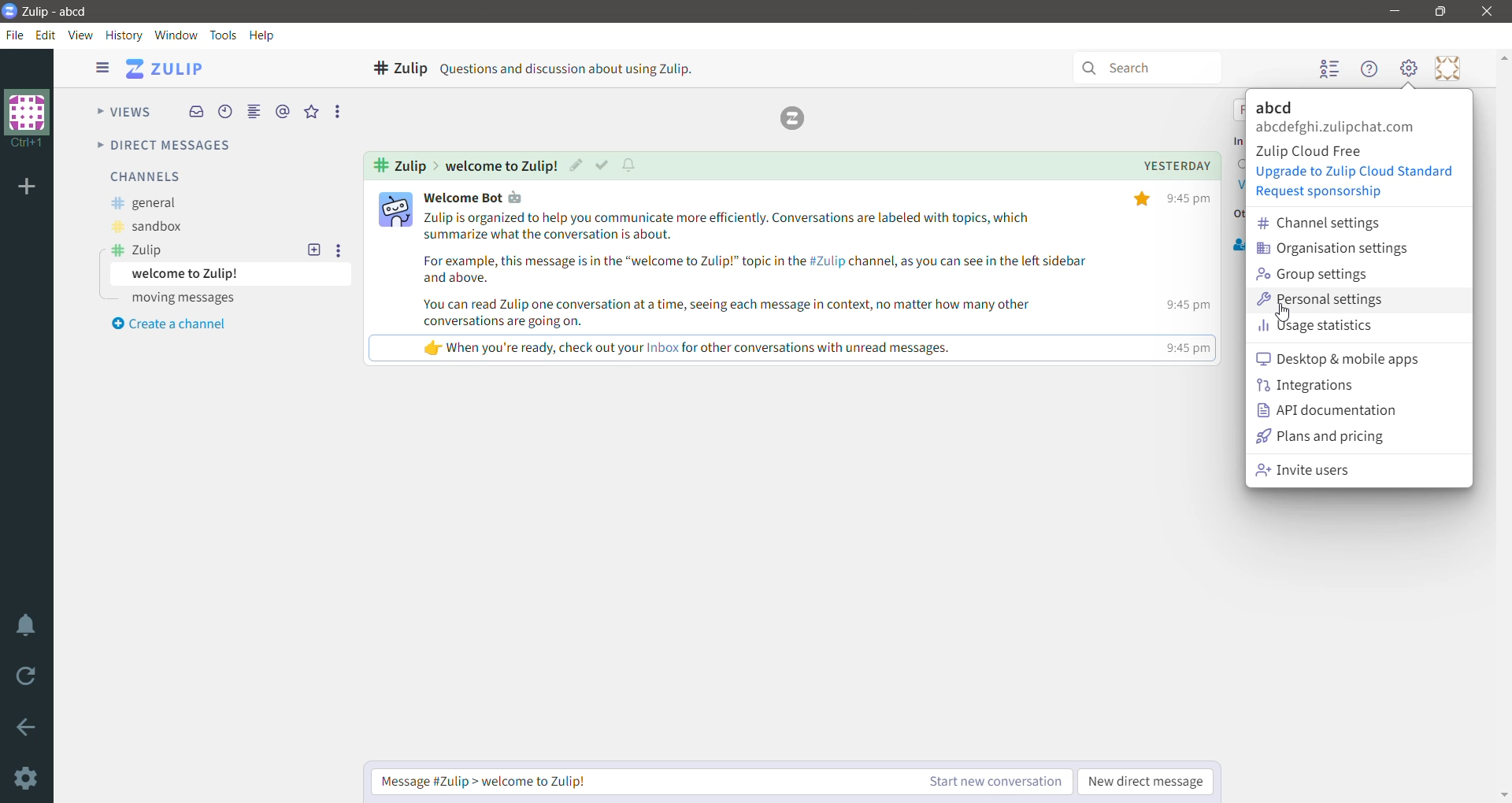 The width and height of the screenshot is (1512, 803). I want to click on welcome to Zulip, so click(230, 274).